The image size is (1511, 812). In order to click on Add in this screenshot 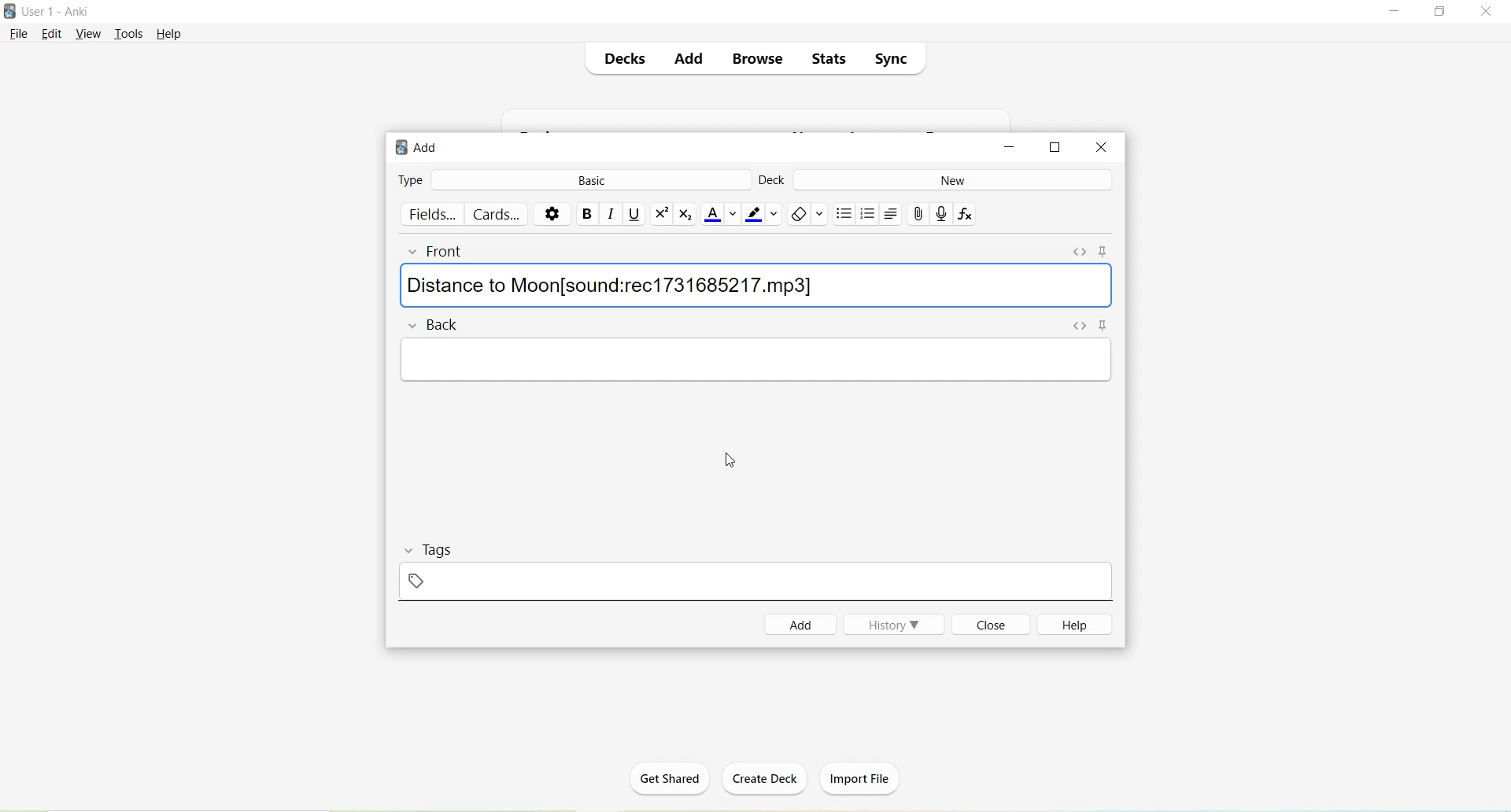, I will do `click(801, 625)`.